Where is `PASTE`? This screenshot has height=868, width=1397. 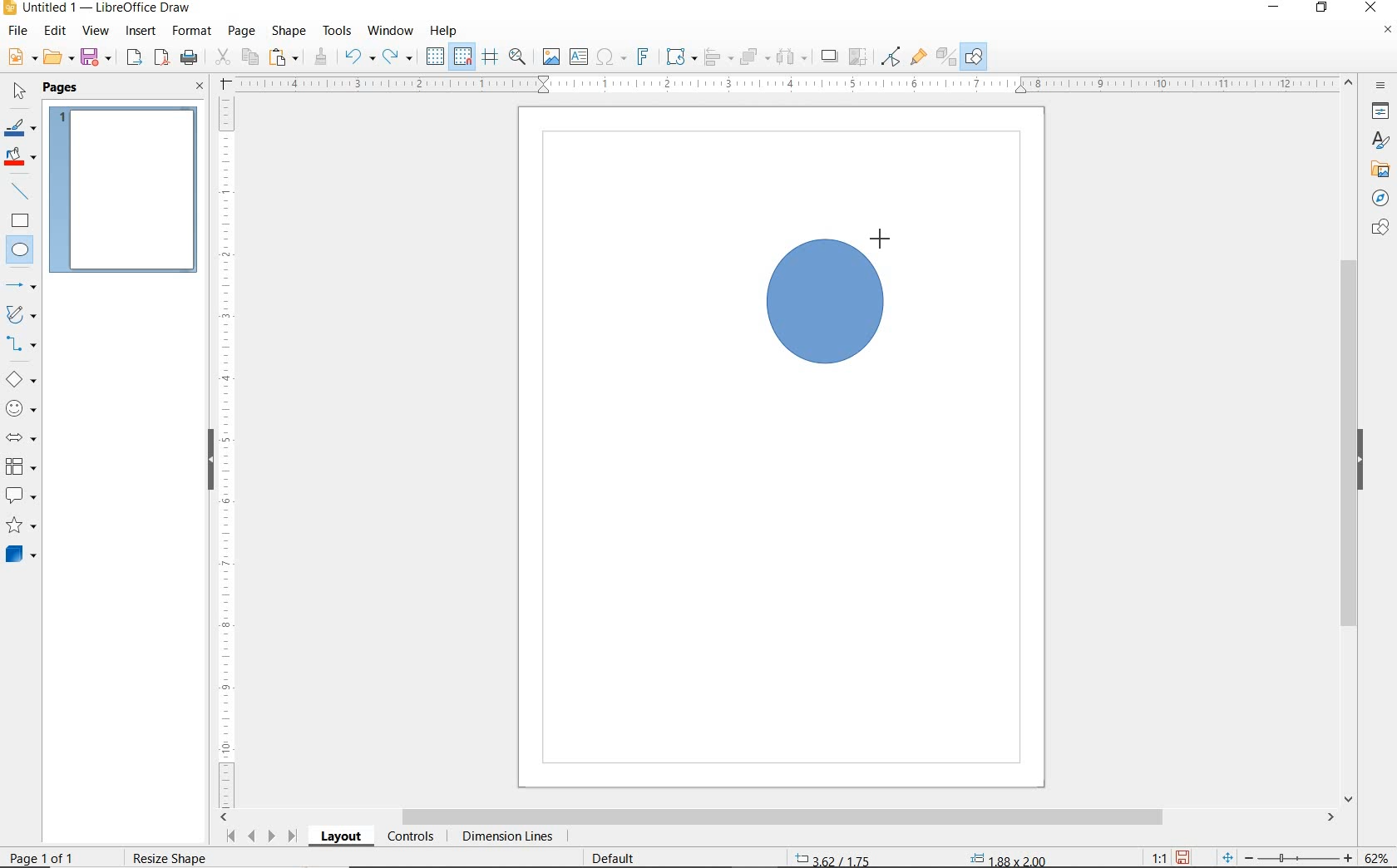
PASTE is located at coordinates (285, 57).